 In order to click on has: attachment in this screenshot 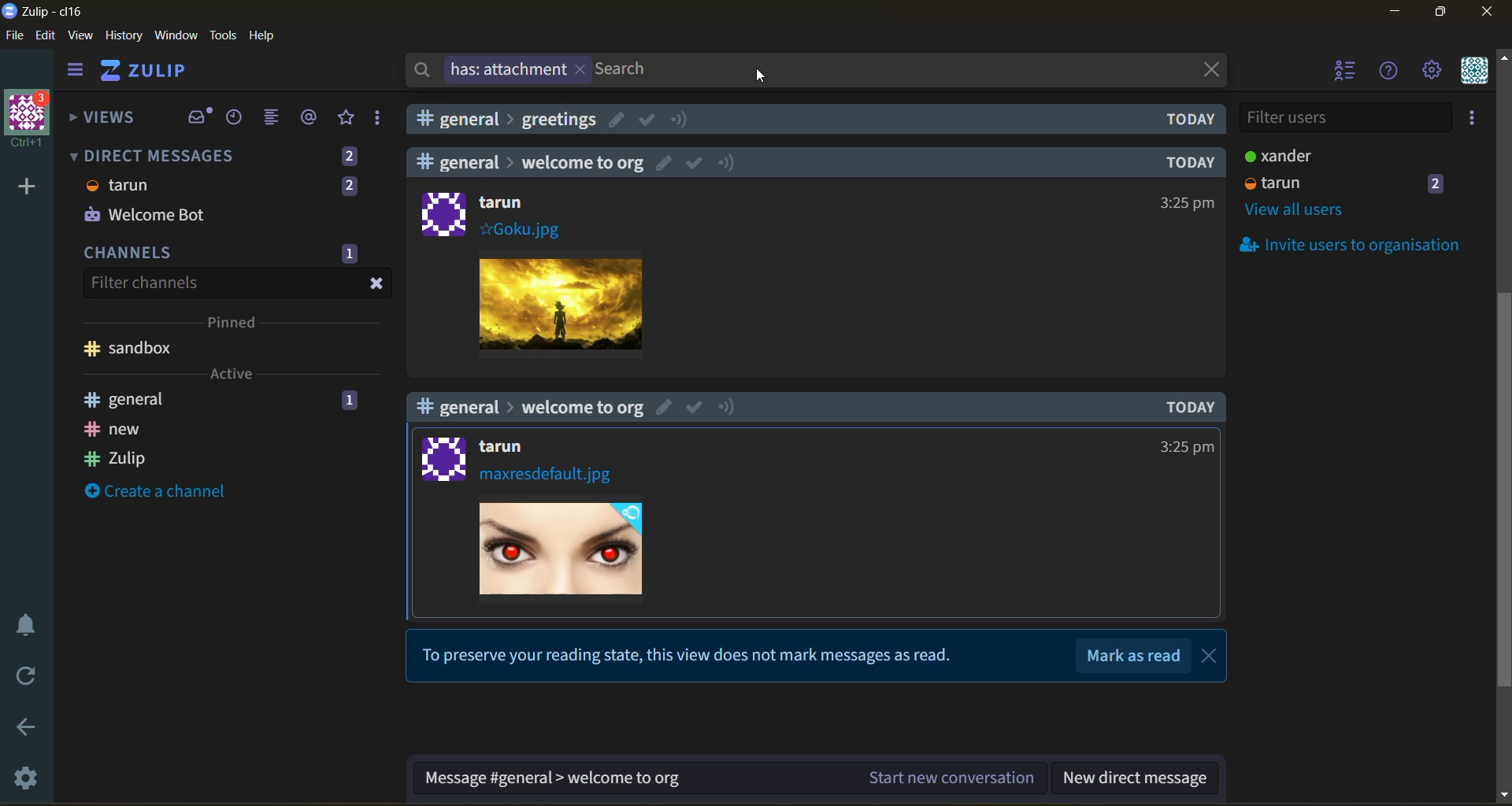, I will do `click(498, 70)`.